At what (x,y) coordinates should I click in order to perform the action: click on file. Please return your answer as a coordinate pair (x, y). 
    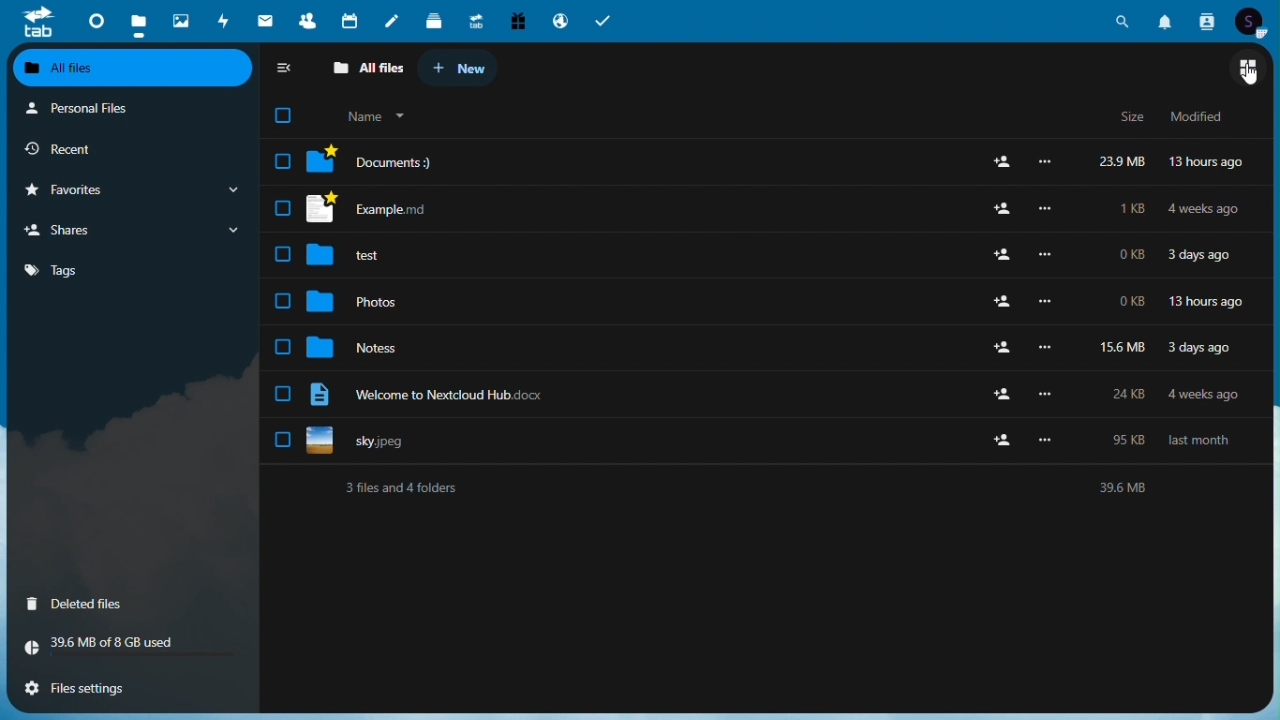
    Looking at the image, I should click on (320, 444).